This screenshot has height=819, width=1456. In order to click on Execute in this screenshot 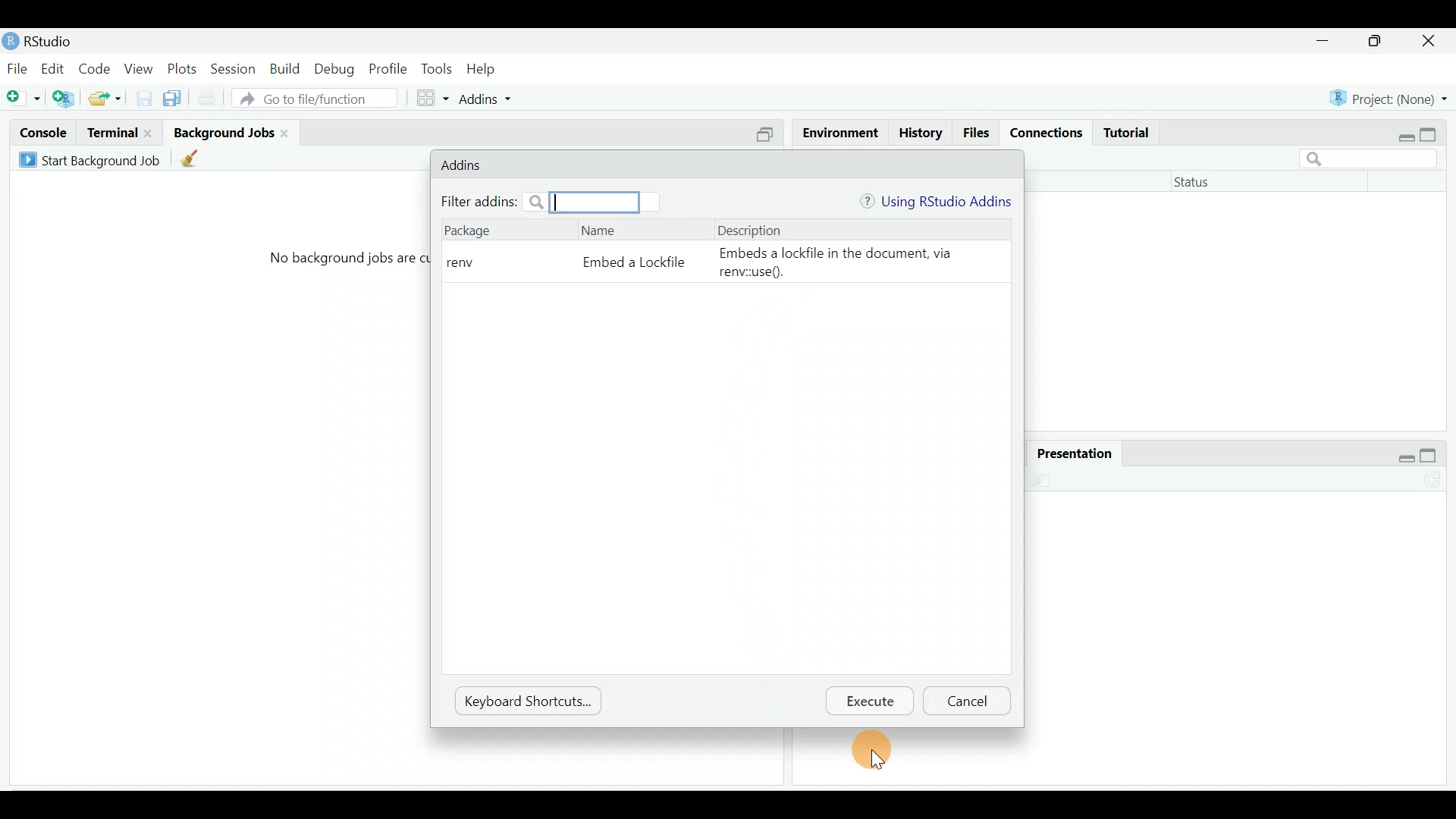, I will do `click(875, 702)`.